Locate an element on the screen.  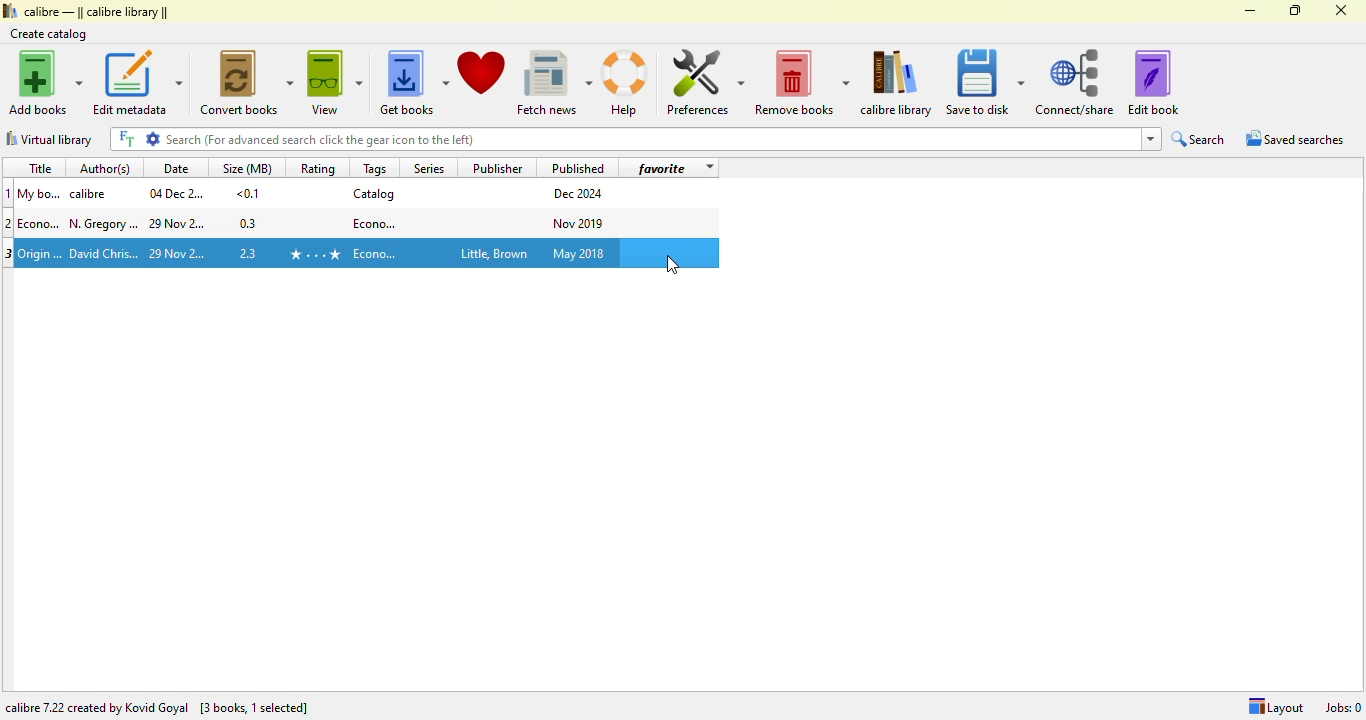
help is located at coordinates (625, 84).